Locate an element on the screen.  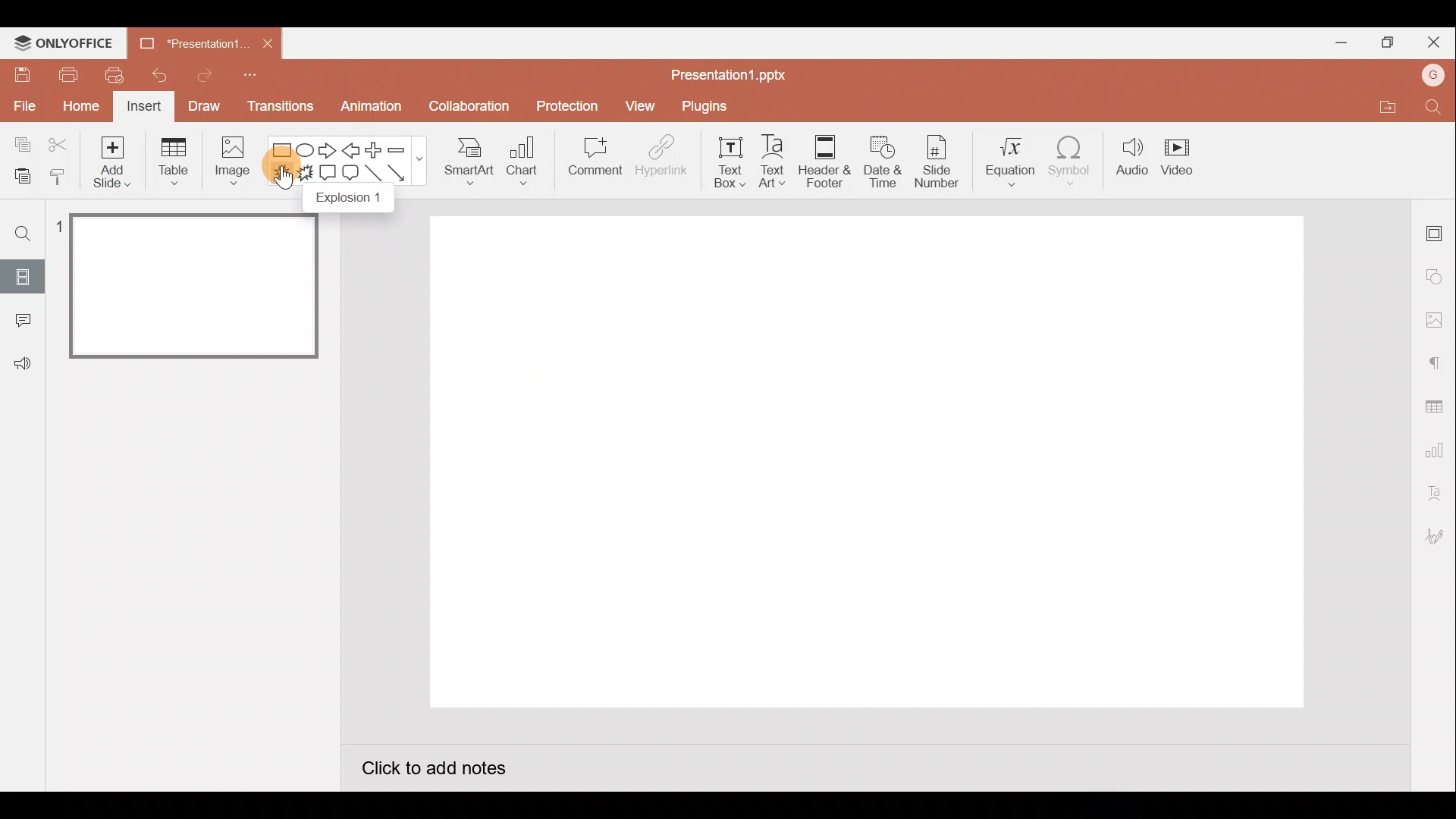
Find is located at coordinates (1438, 108).